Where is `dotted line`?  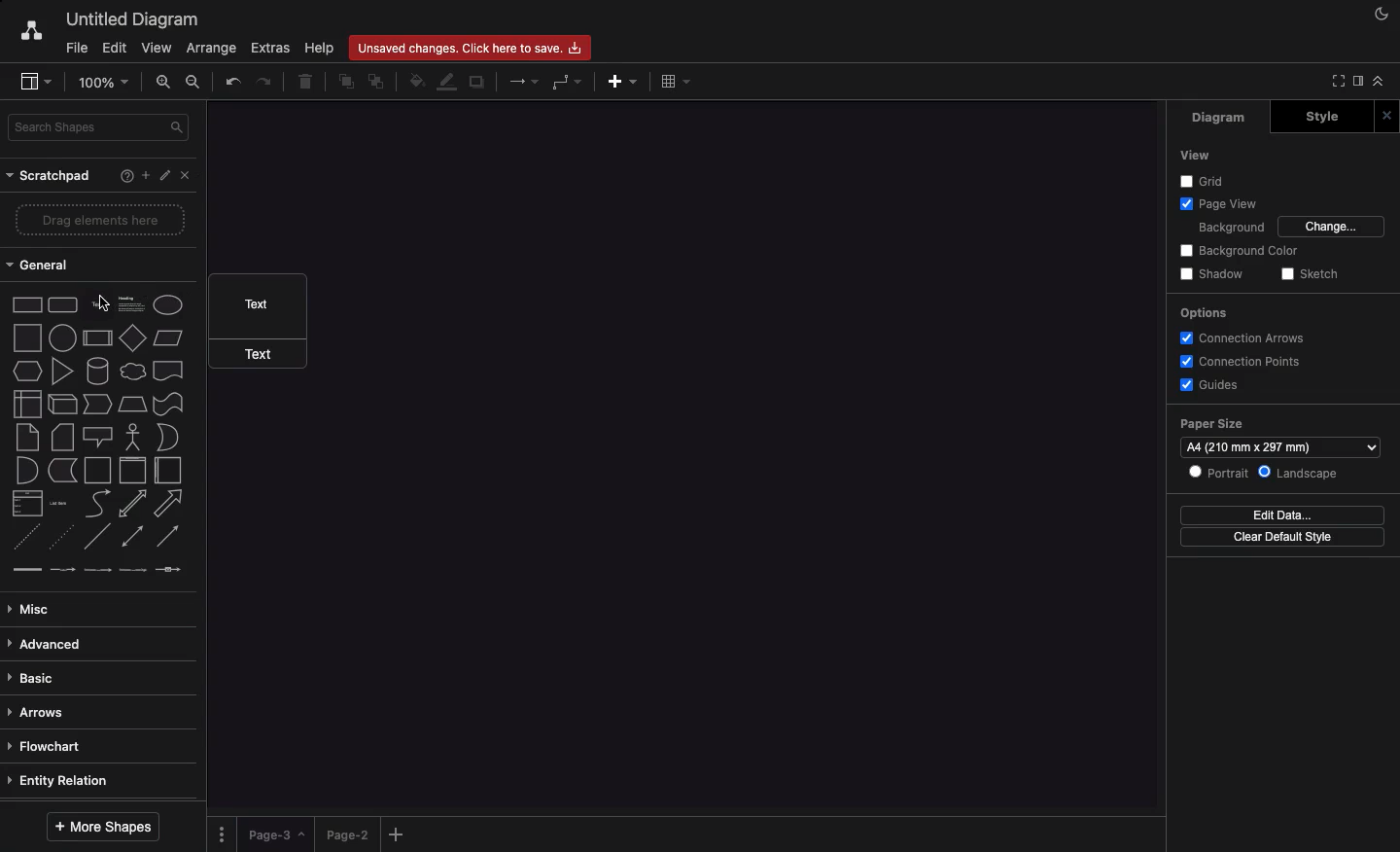 dotted line is located at coordinates (59, 536).